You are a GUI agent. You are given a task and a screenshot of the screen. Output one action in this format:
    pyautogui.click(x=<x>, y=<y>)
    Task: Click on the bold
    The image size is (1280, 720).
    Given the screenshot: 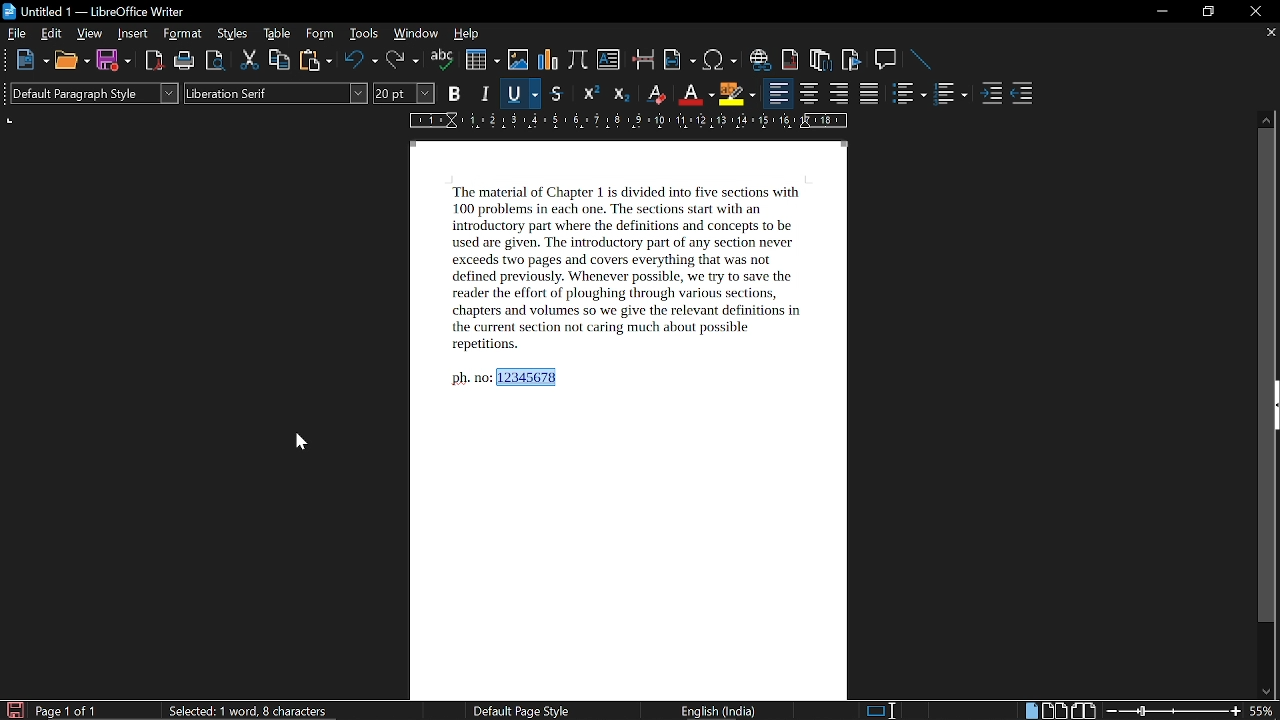 What is the action you would take?
    pyautogui.click(x=453, y=95)
    